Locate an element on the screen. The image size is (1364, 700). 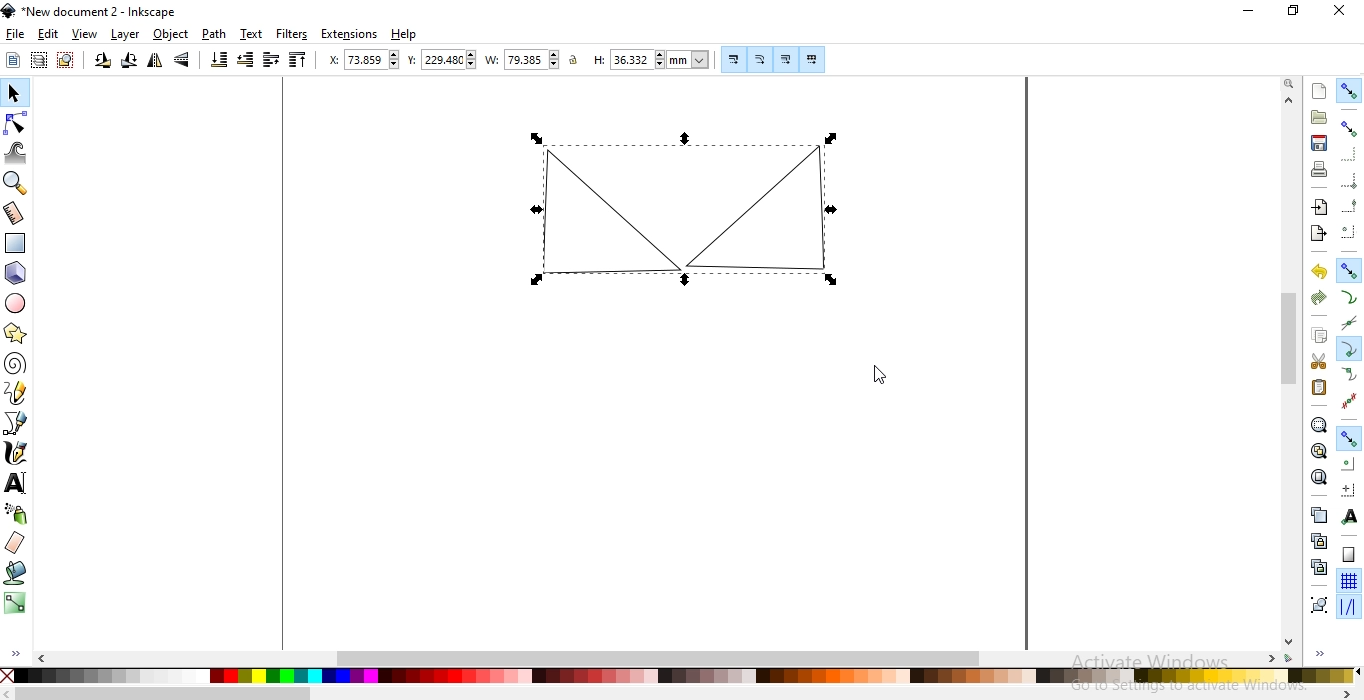
scrollbar is located at coordinates (665, 658).